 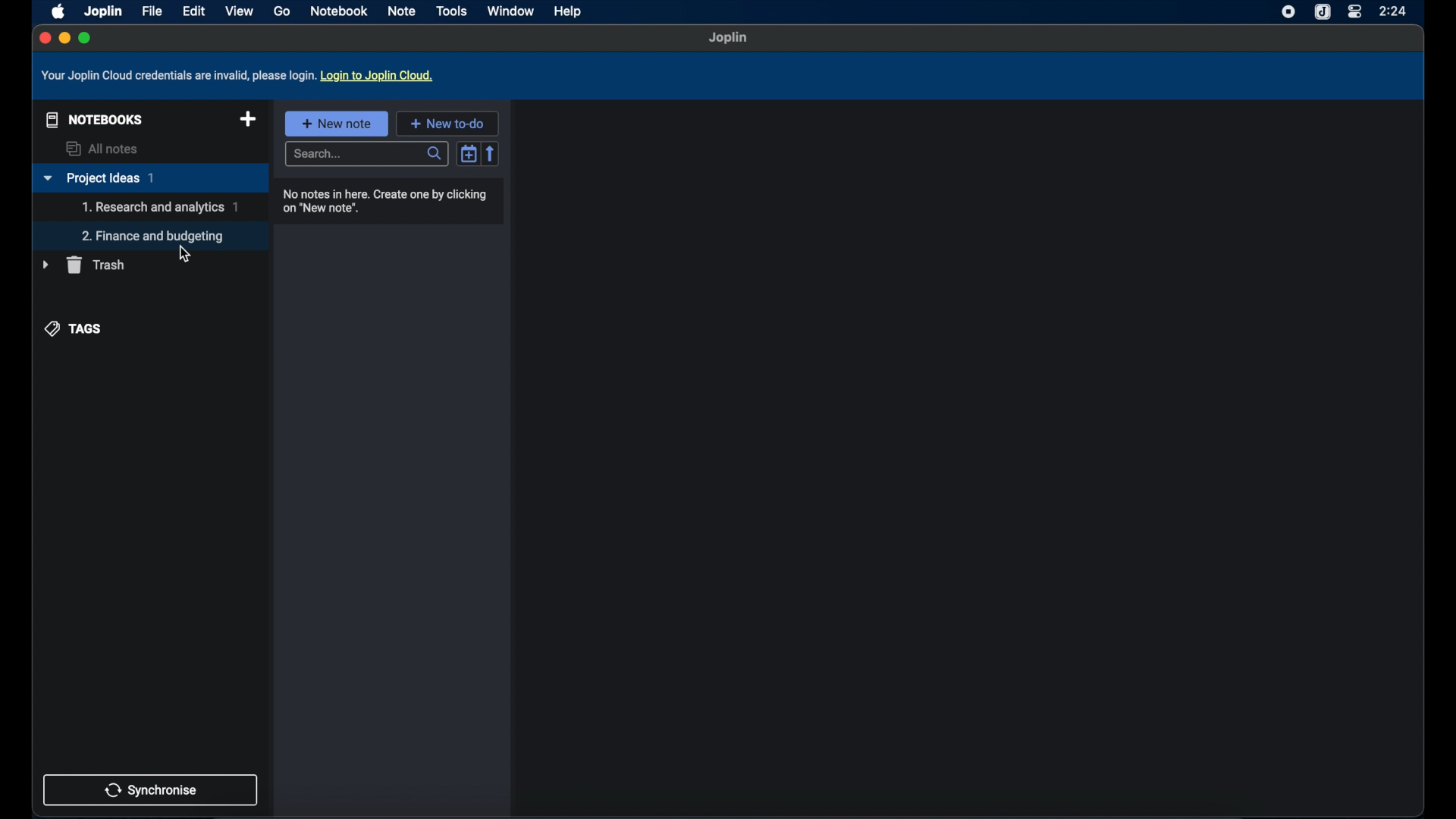 I want to click on Joplin, so click(x=102, y=11).